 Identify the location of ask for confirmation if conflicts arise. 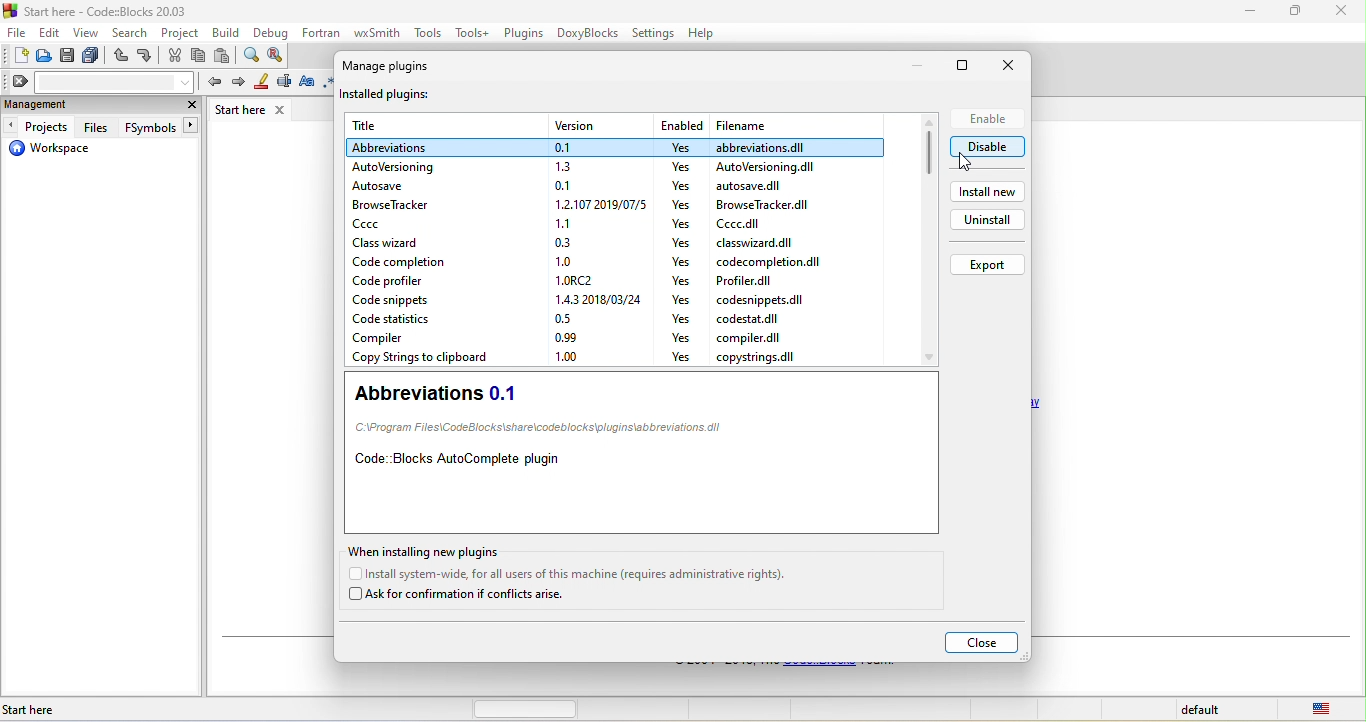
(461, 596).